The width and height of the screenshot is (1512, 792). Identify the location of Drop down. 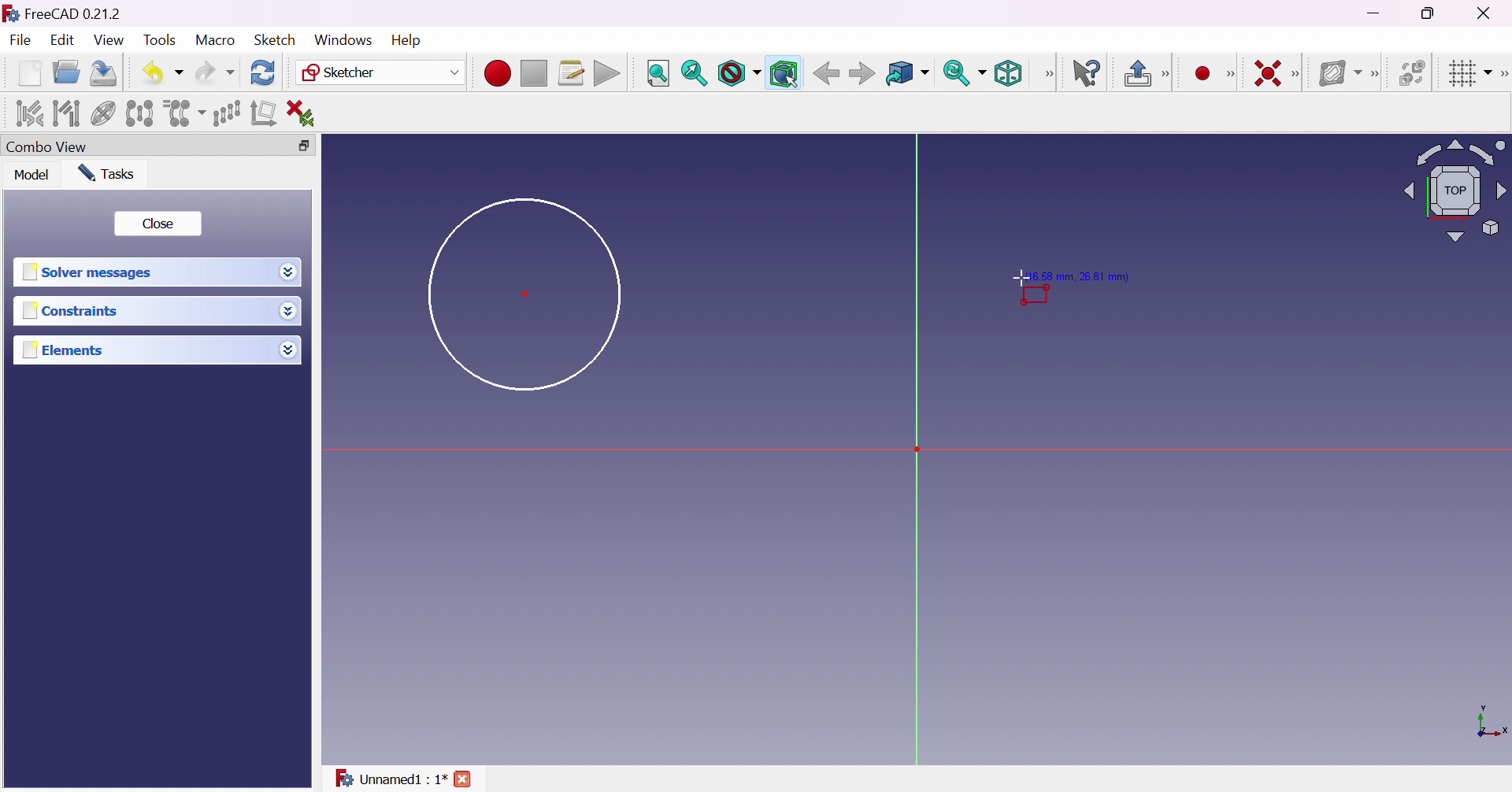
(289, 272).